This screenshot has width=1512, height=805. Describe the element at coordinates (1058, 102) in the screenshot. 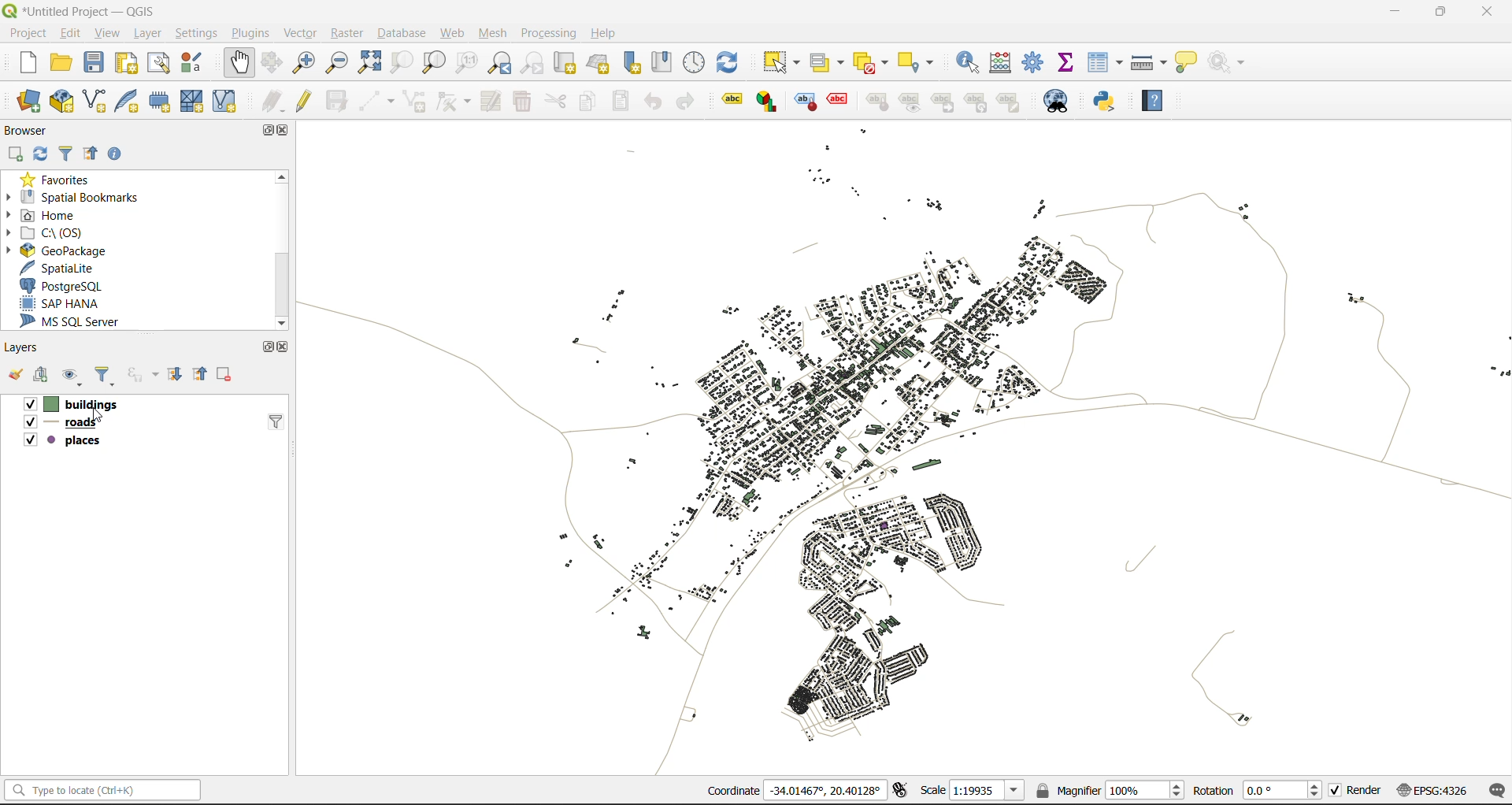

I see `metasearch` at that location.